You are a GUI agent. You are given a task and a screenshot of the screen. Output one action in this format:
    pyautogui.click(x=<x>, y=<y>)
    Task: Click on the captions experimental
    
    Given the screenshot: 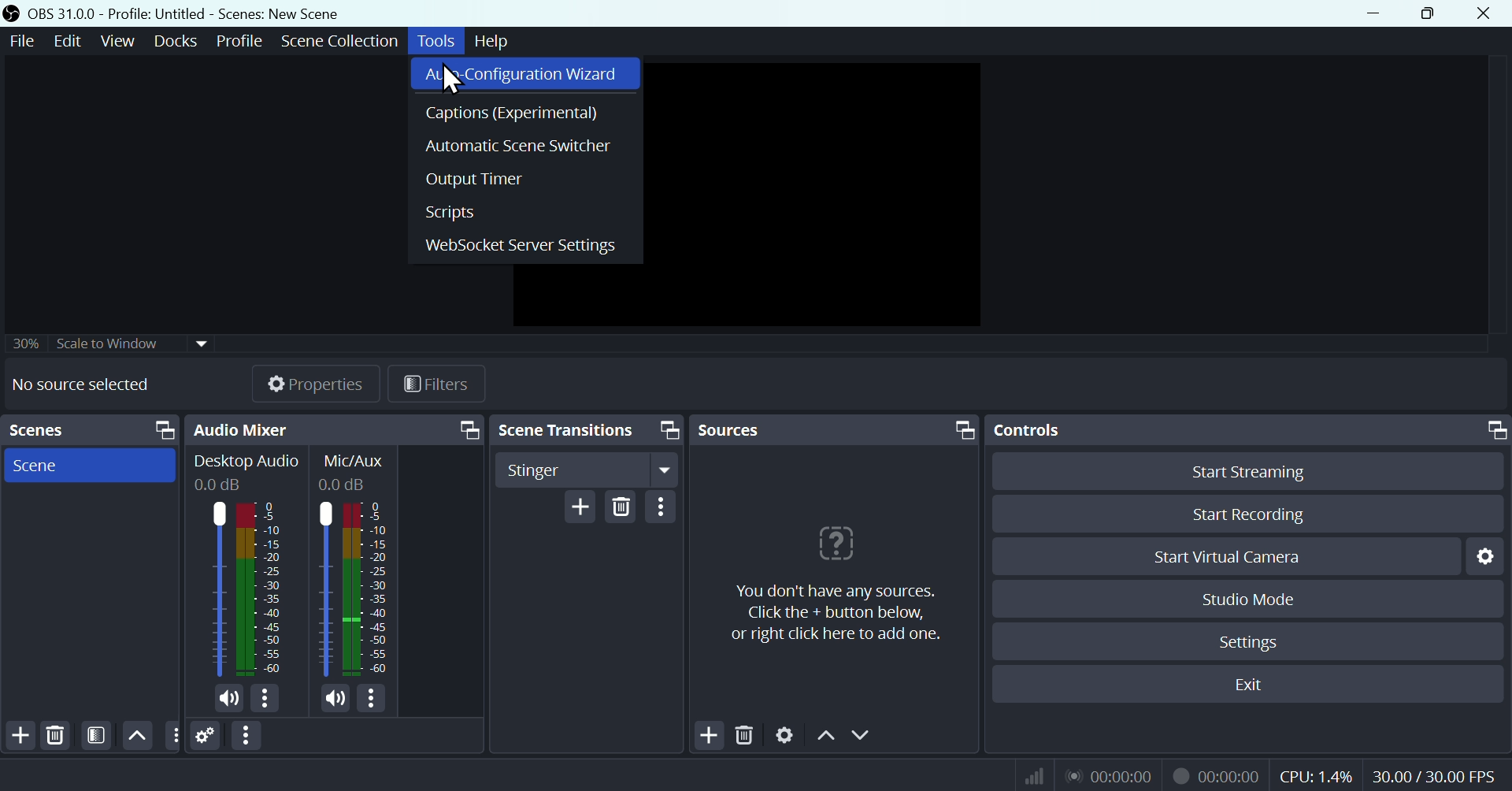 What is the action you would take?
    pyautogui.click(x=525, y=111)
    